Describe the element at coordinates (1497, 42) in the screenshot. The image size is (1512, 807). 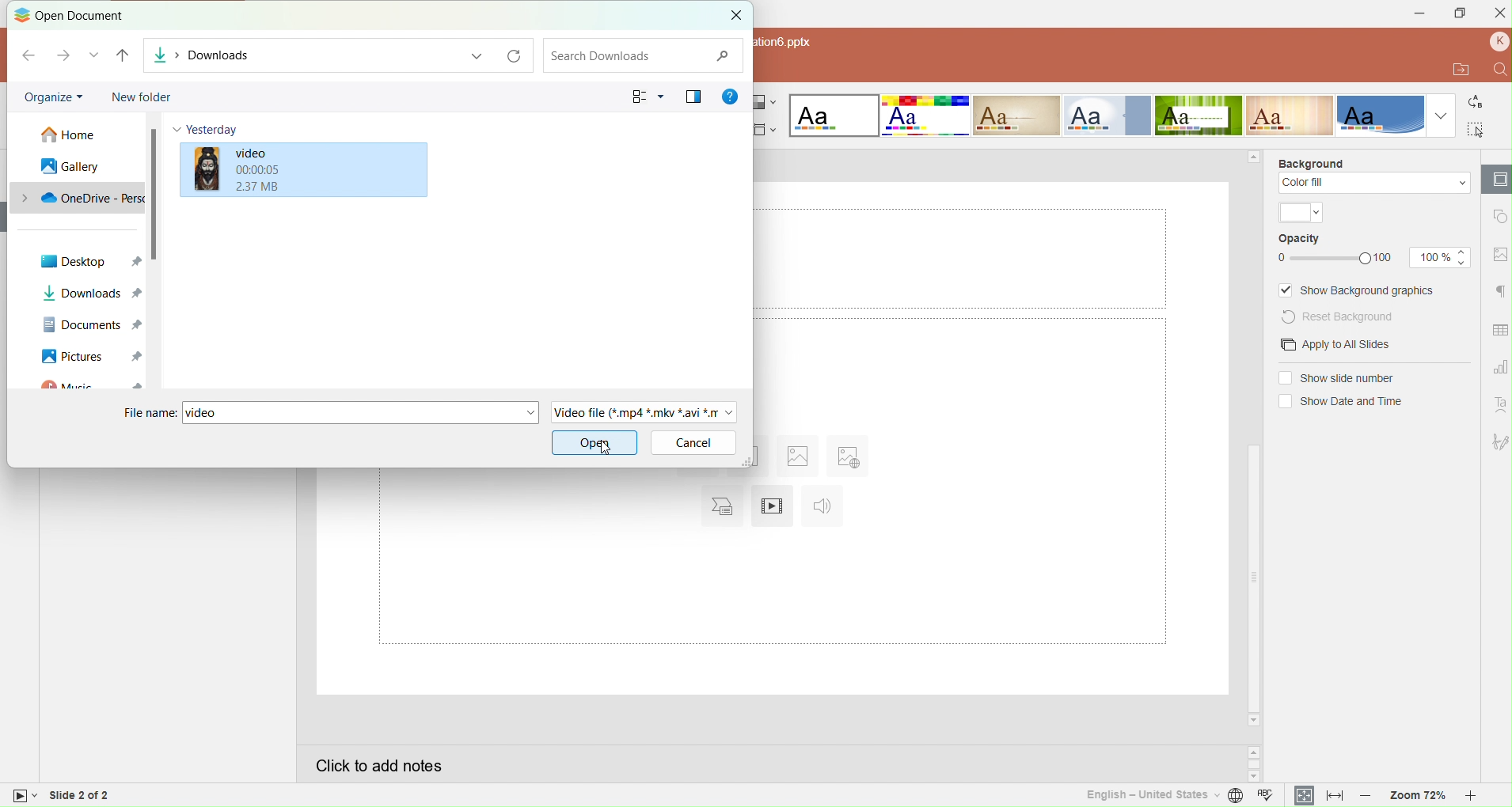
I see `Profile name` at that location.